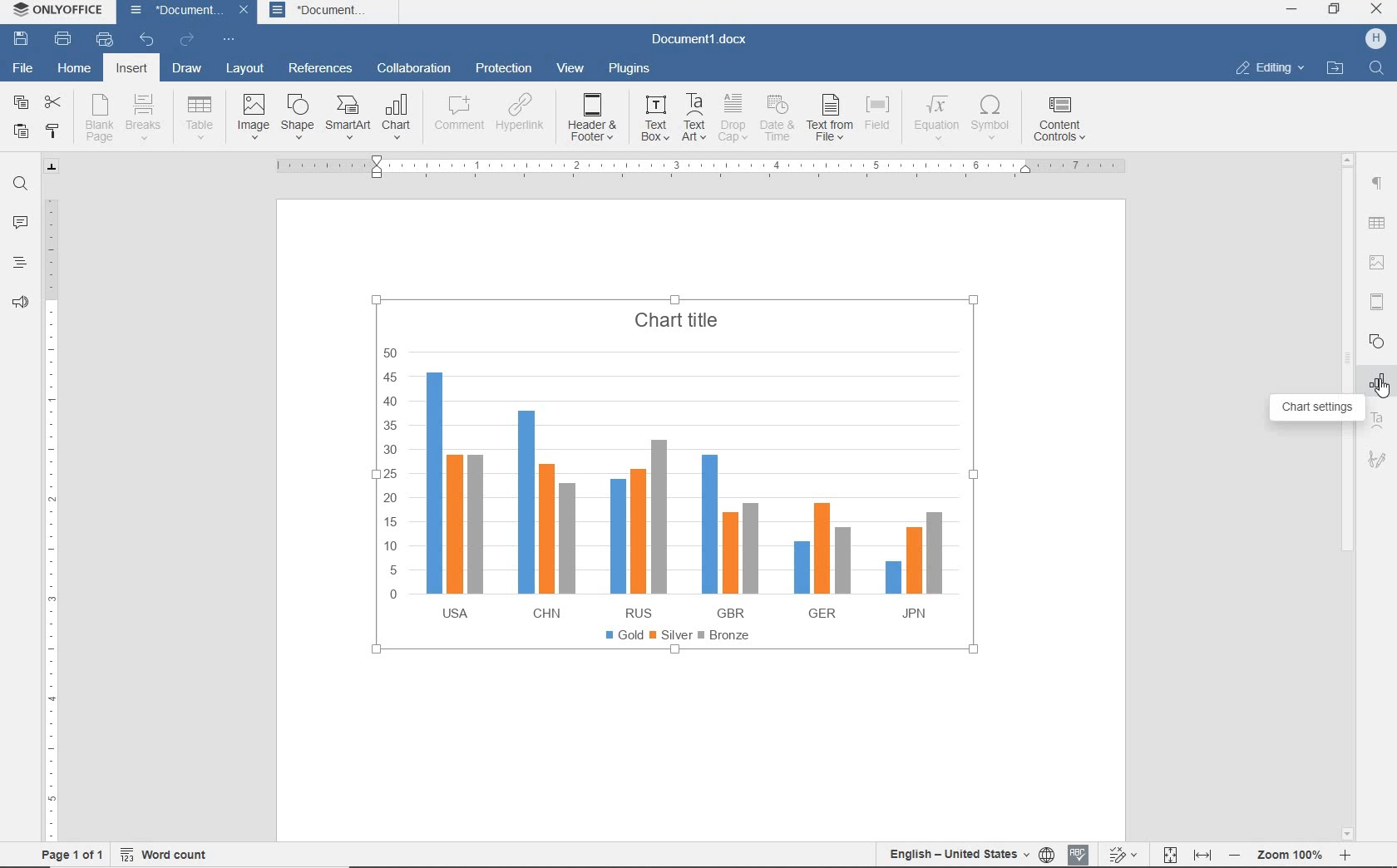 The image size is (1397, 868). What do you see at coordinates (694, 120) in the screenshot?
I see `text art` at bounding box center [694, 120].